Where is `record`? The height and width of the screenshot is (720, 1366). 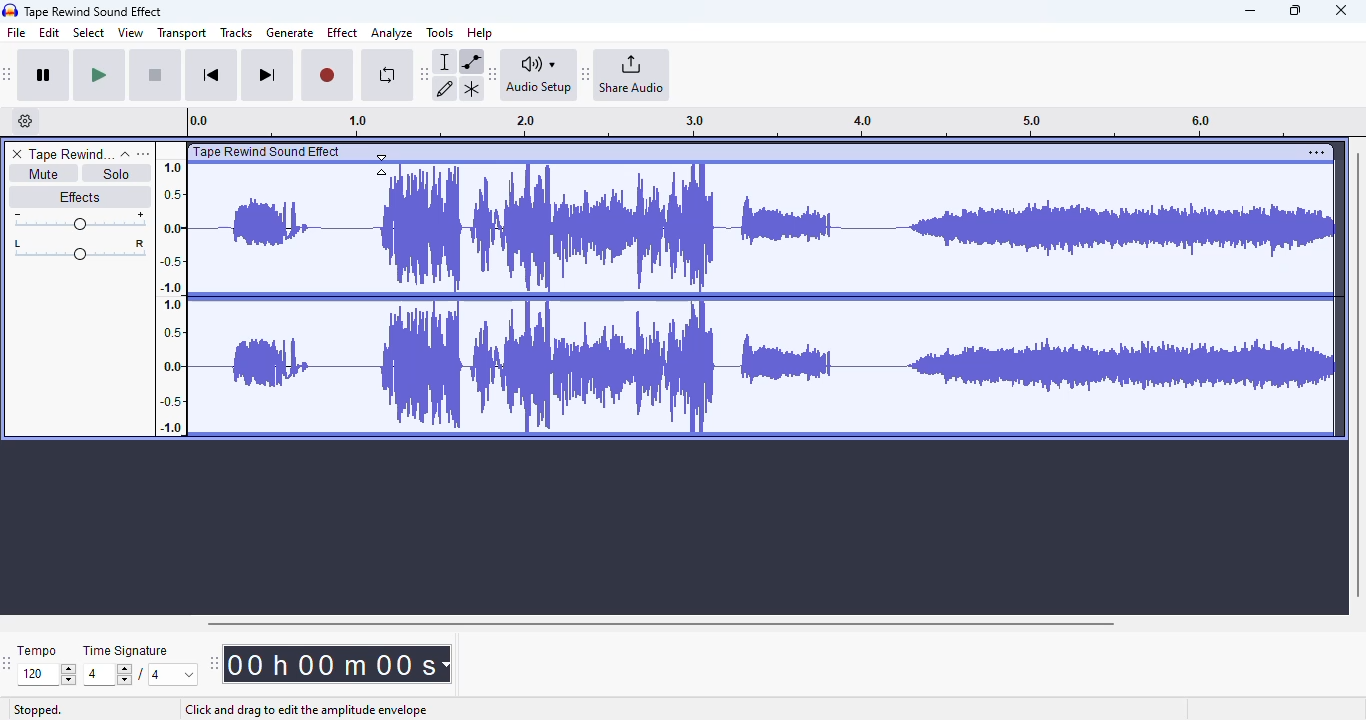
record is located at coordinates (327, 76).